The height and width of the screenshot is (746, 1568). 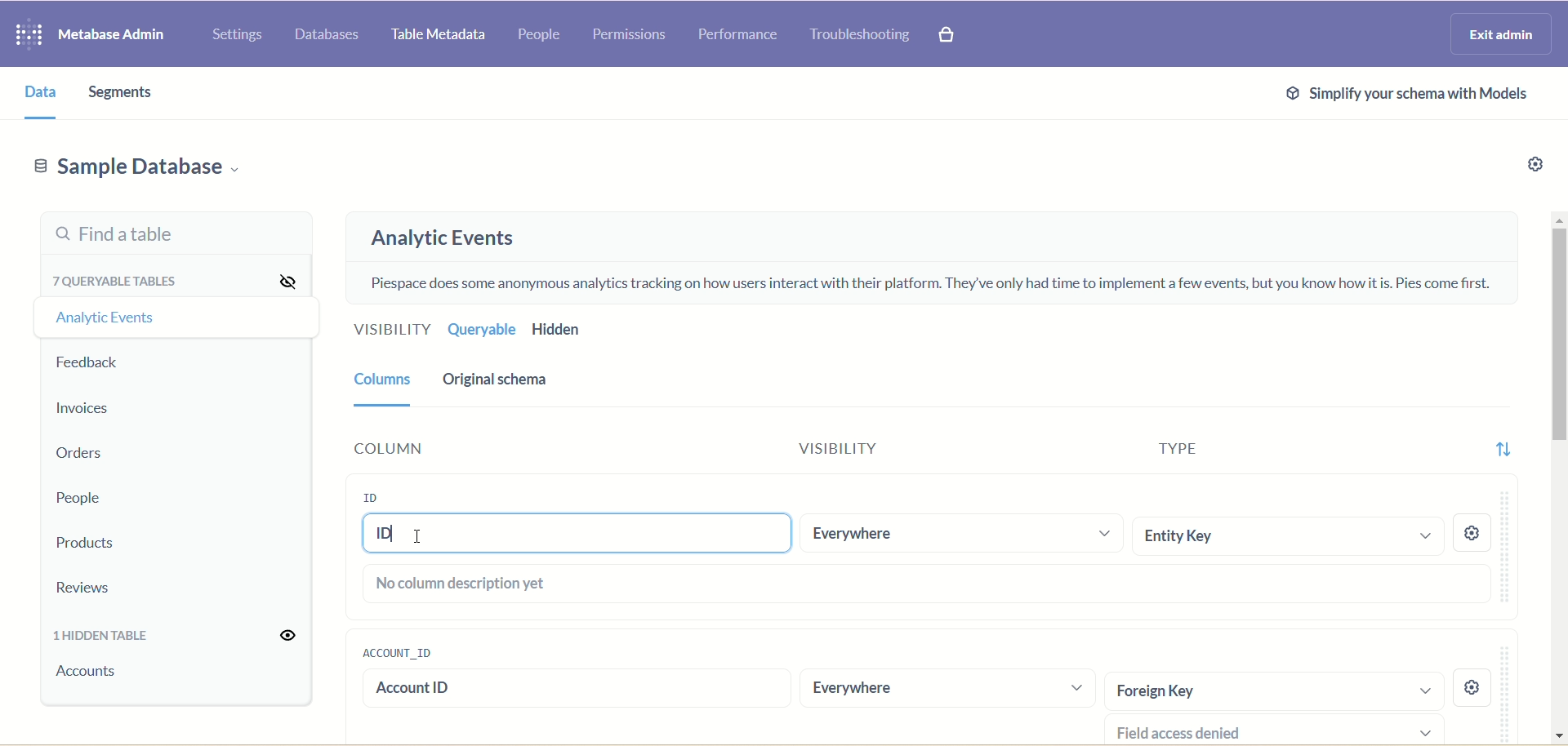 What do you see at coordinates (834, 449) in the screenshot?
I see `Visibility` at bounding box center [834, 449].